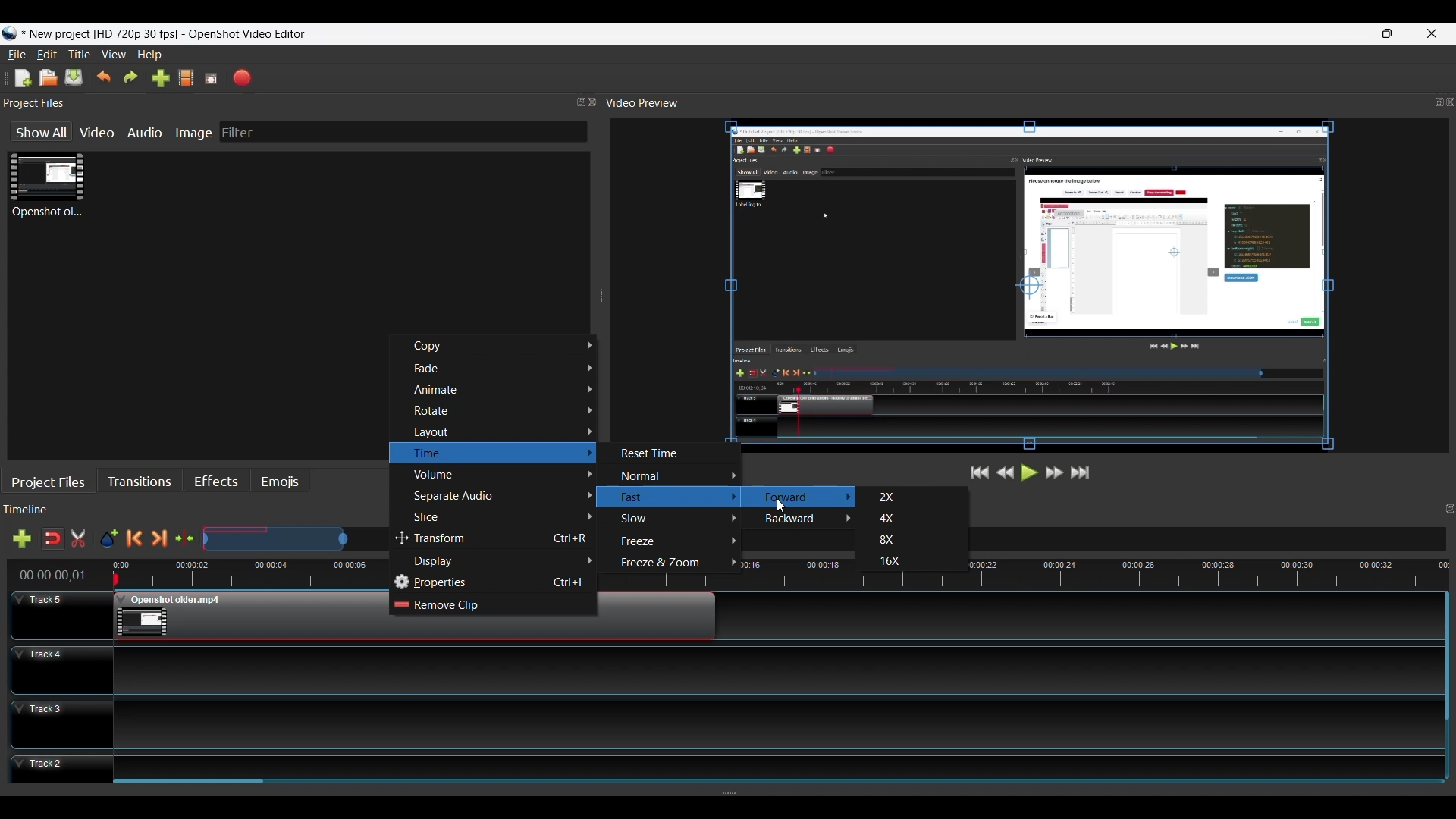  Describe the element at coordinates (773, 723) in the screenshot. I see `Track Panel` at that location.